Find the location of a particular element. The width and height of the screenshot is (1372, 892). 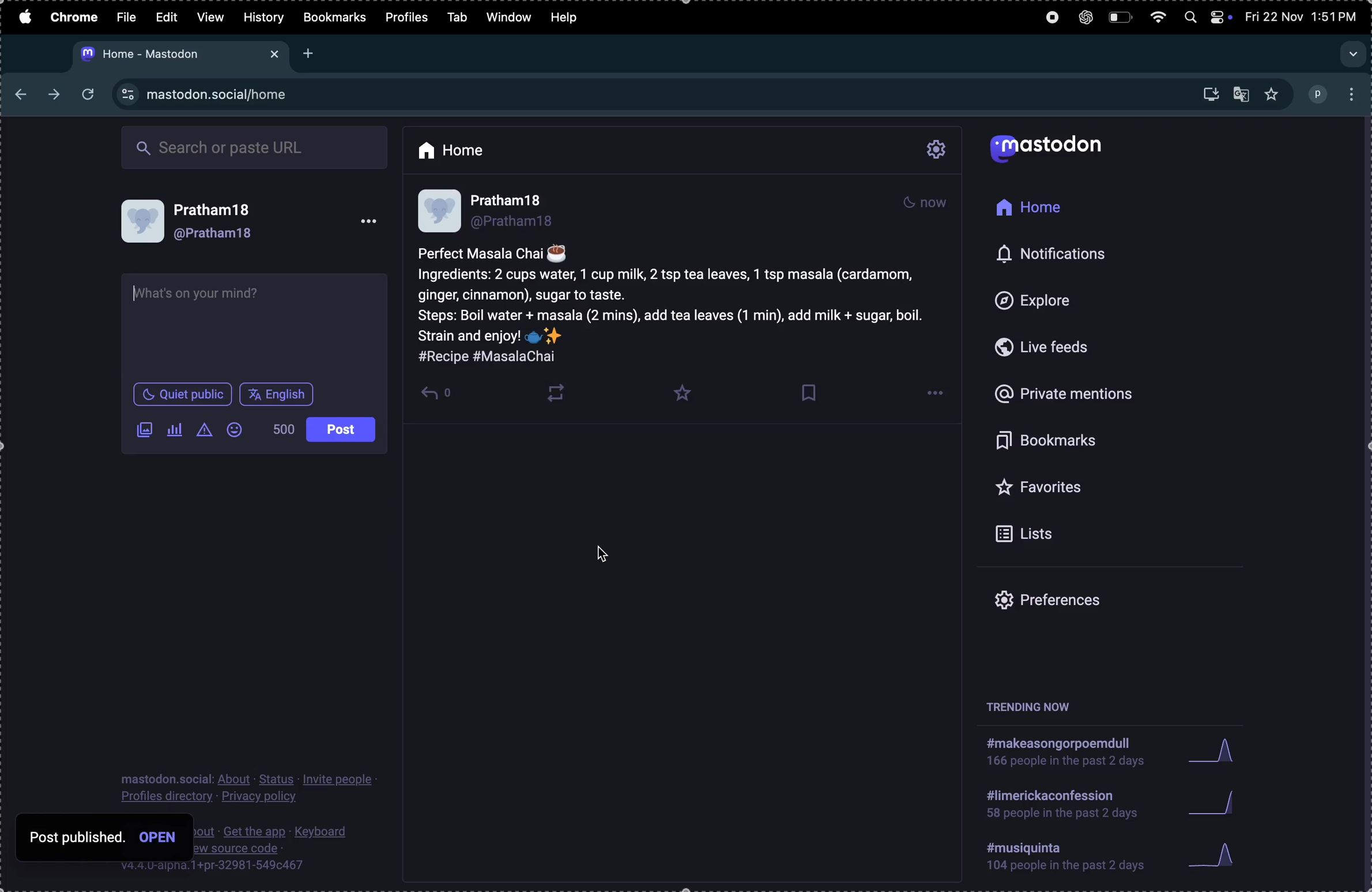

mastodon logo is located at coordinates (1066, 144).